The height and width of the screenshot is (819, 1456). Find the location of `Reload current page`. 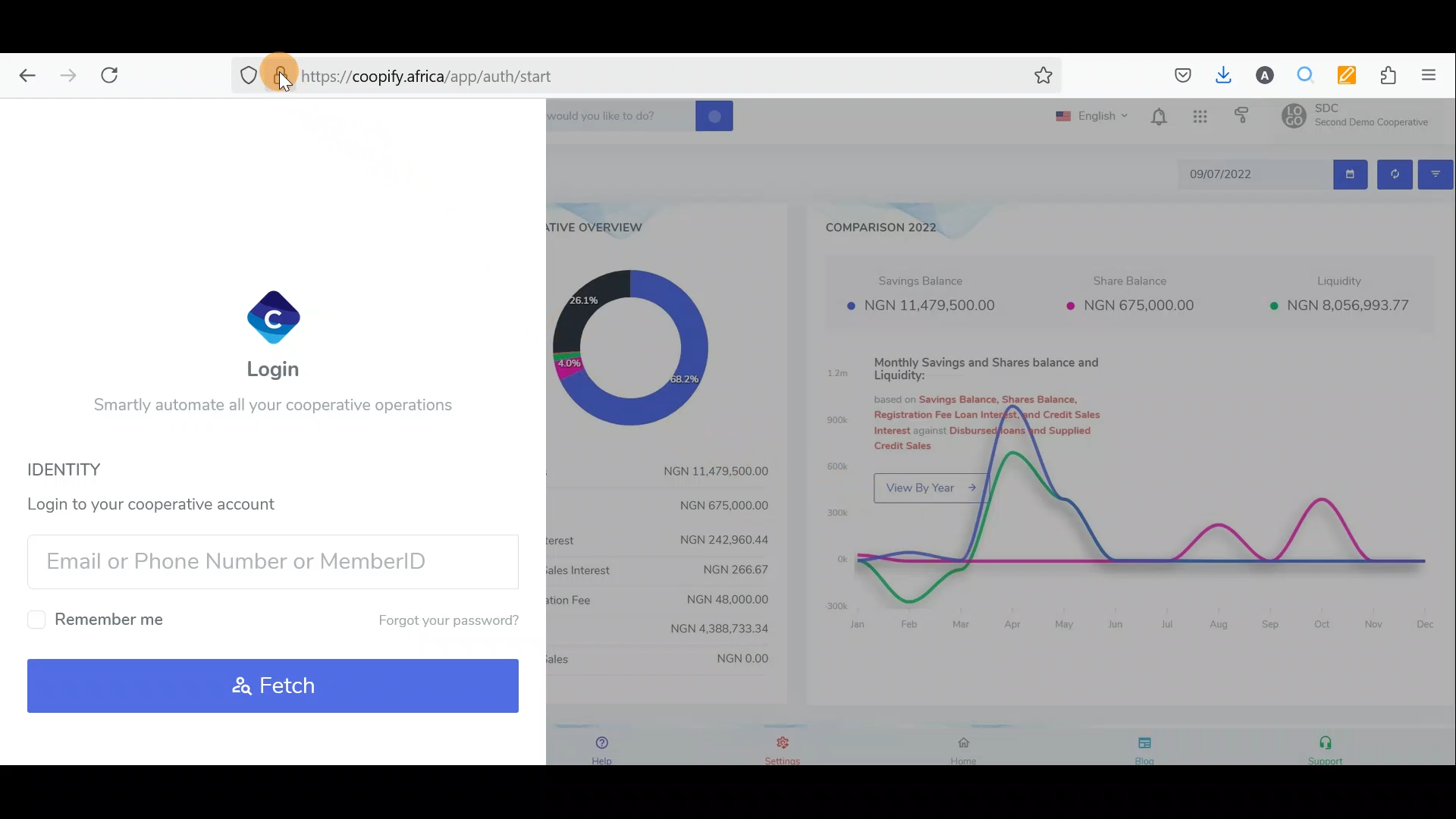

Reload current page is located at coordinates (116, 75).